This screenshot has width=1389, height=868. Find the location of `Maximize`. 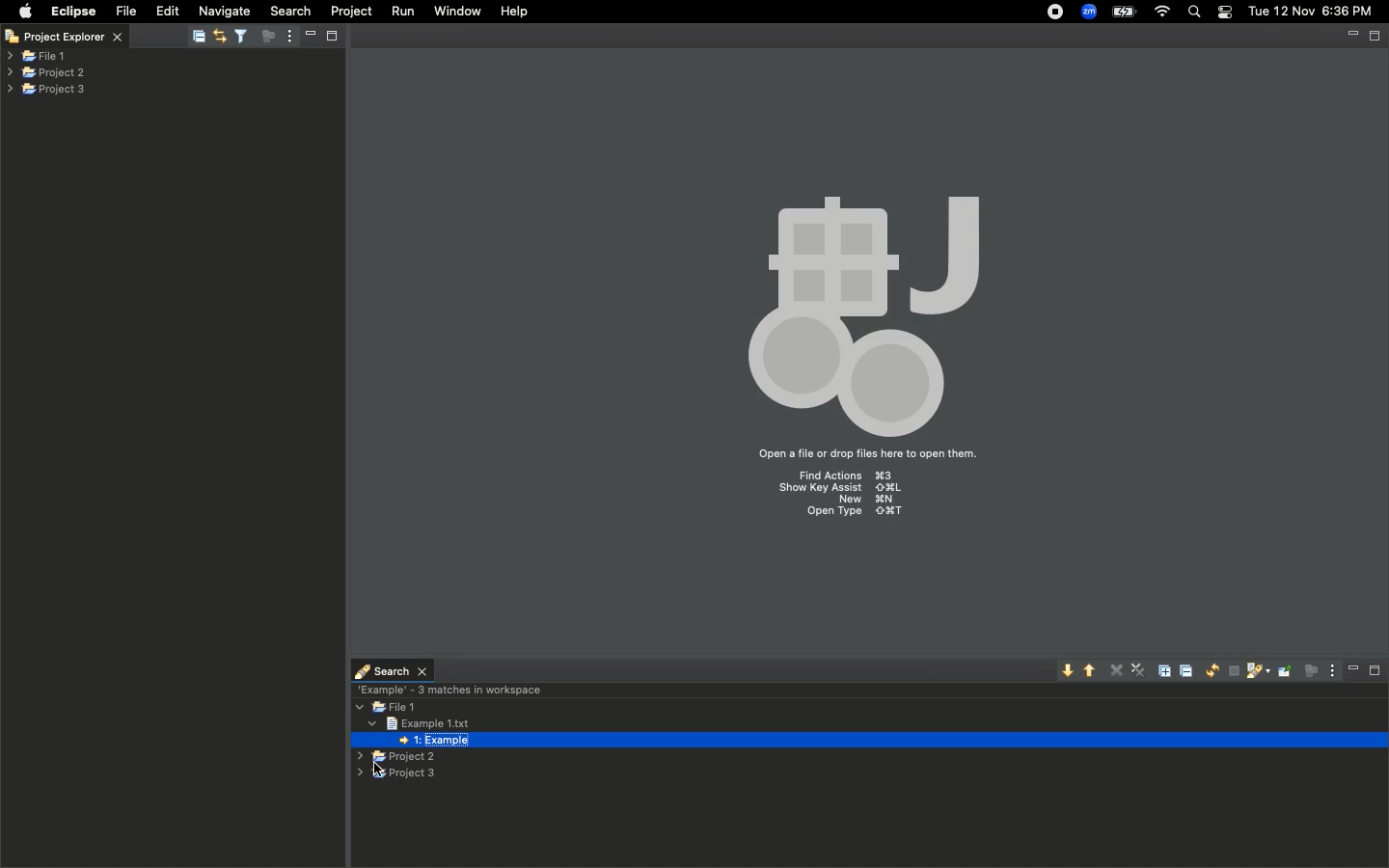

Maximize is located at coordinates (1376, 36).